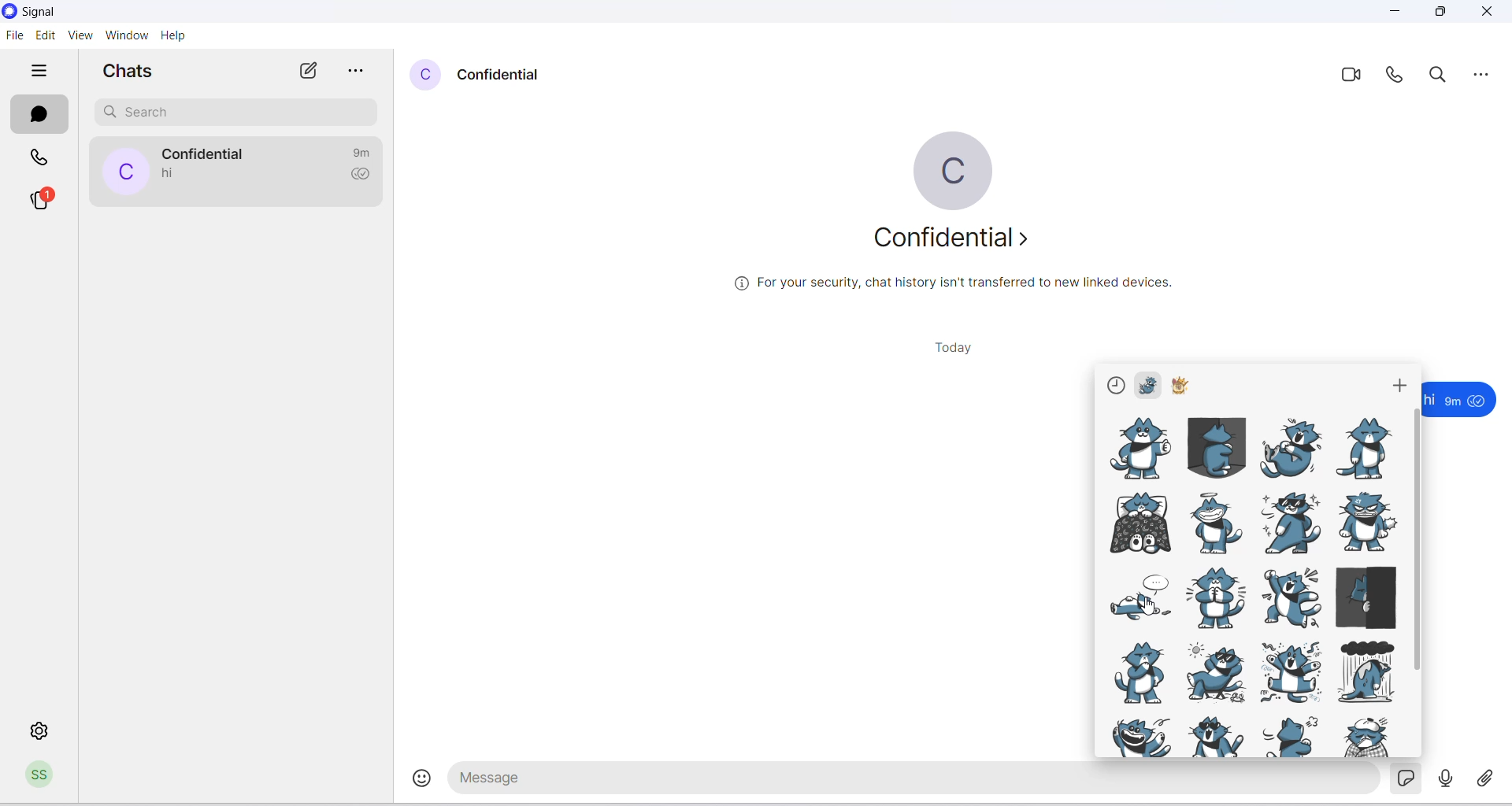  I want to click on hide tabs, so click(40, 72).